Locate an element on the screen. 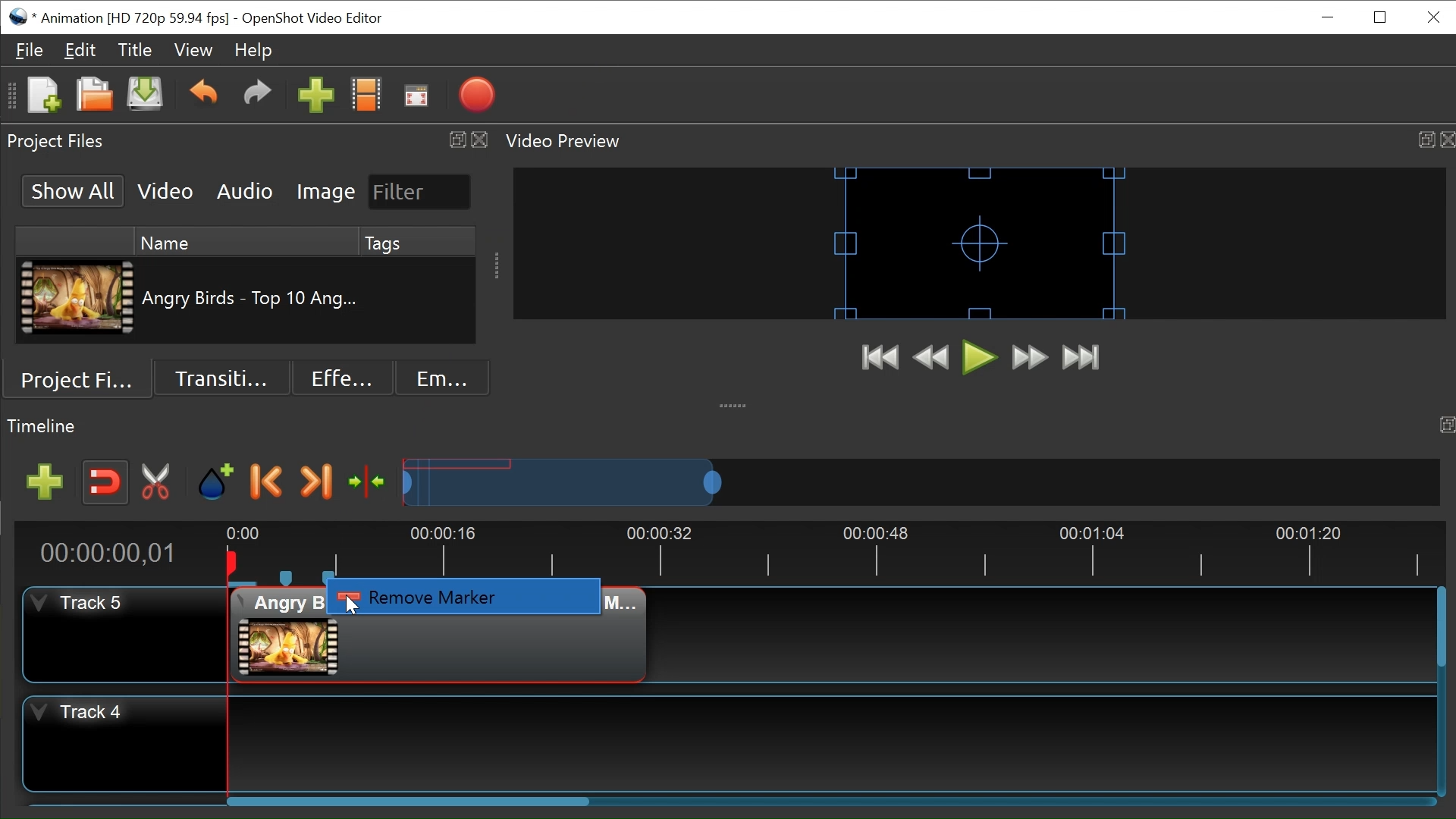 This screenshot has height=819, width=1456. Jump to End is located at coordinates (1081, 356).